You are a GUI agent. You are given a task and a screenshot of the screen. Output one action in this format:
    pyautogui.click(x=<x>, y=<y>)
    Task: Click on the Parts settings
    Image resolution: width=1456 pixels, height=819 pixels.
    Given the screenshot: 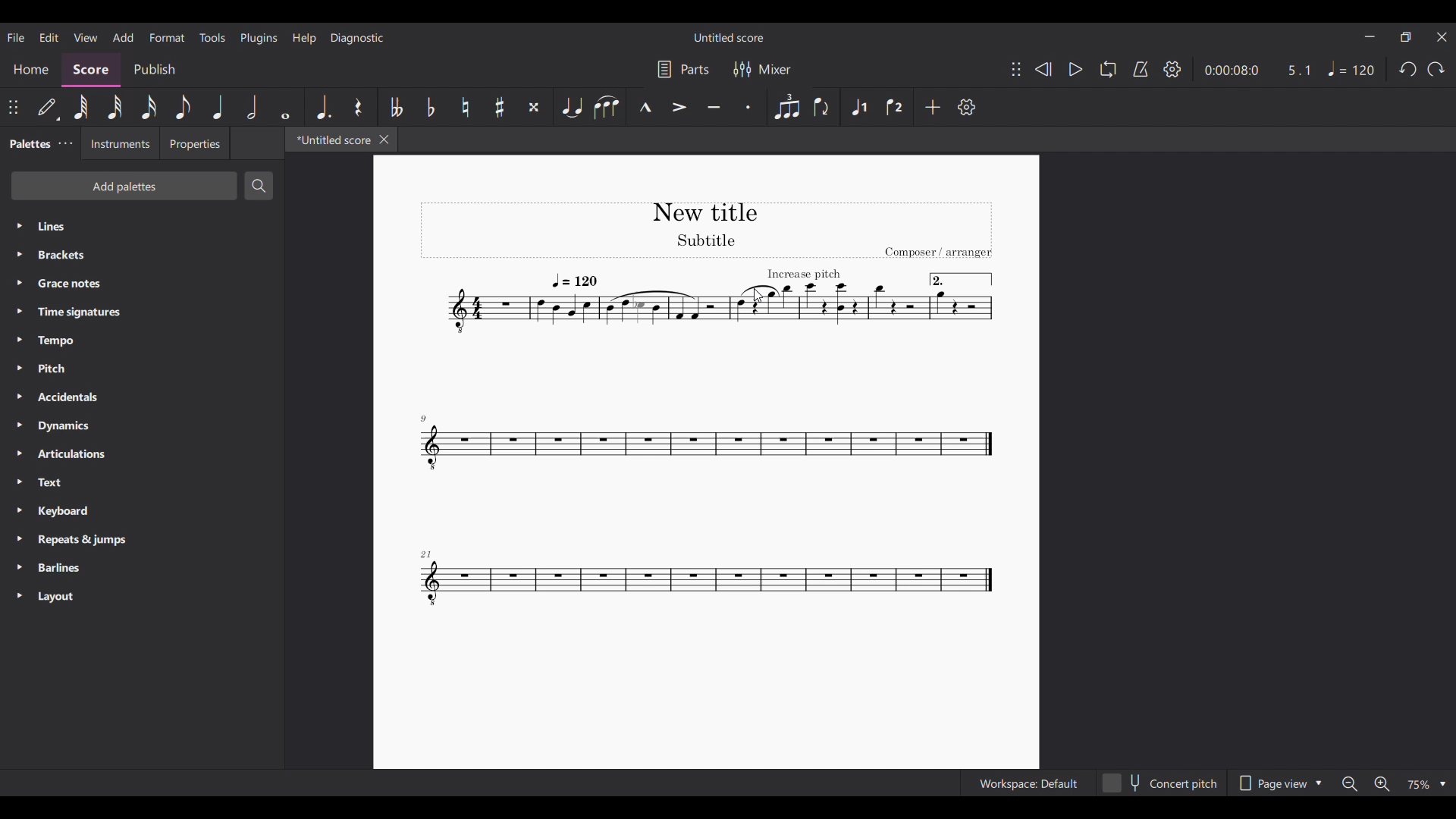 What is the action you would take?
    pyautogui.click(x=683, y=69)
    